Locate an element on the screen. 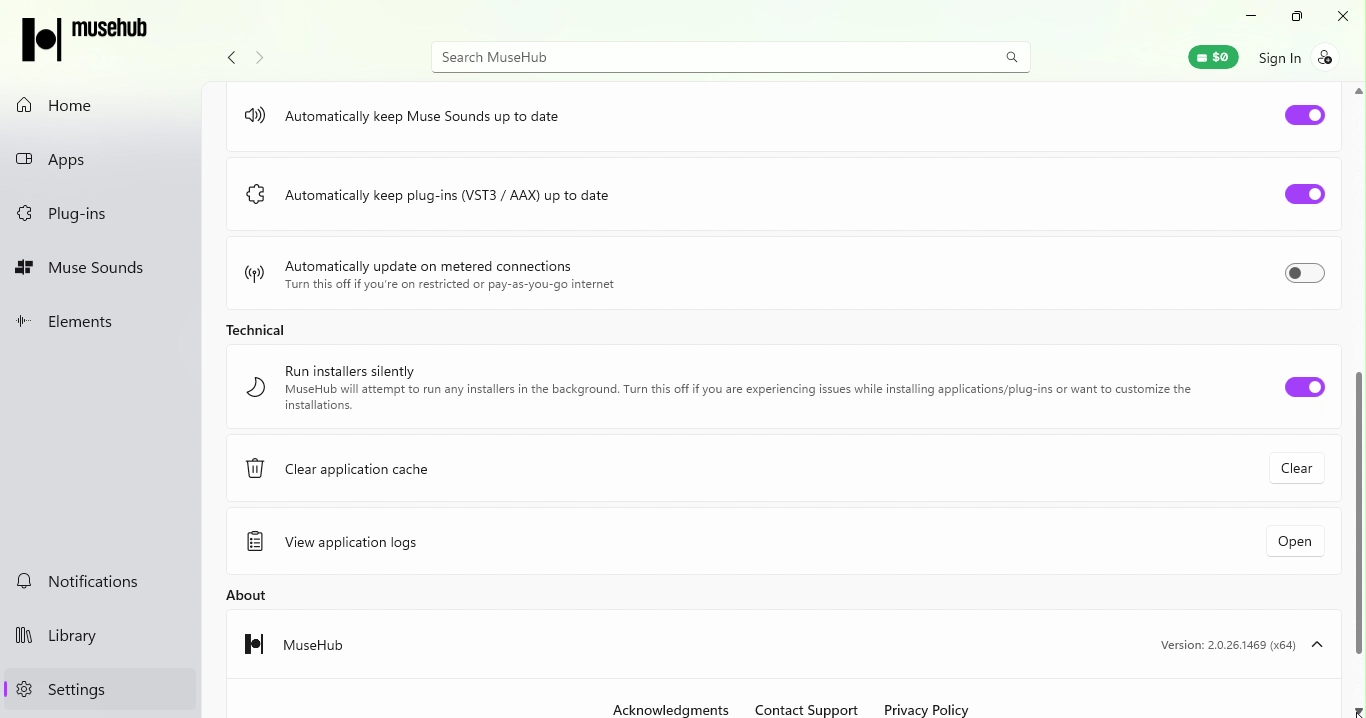  Clear is located at coordinates (1292, 469).